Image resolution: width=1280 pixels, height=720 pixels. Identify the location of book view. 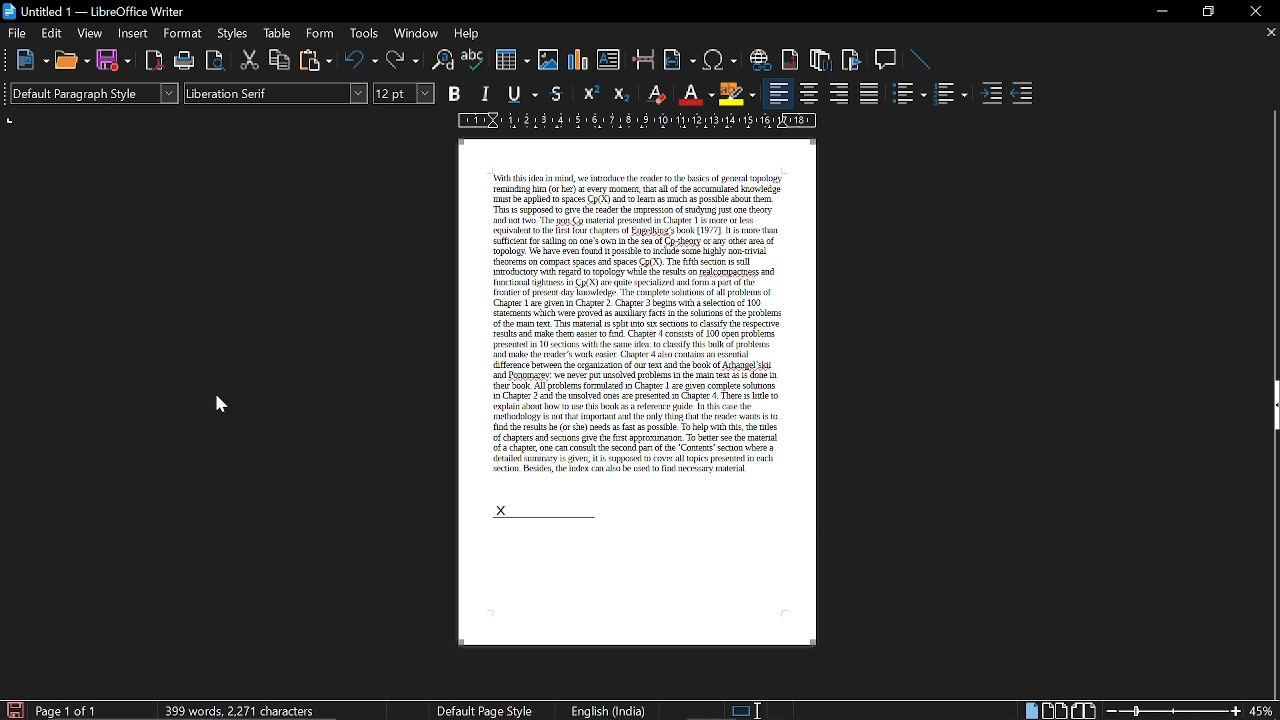
(1083, 710).